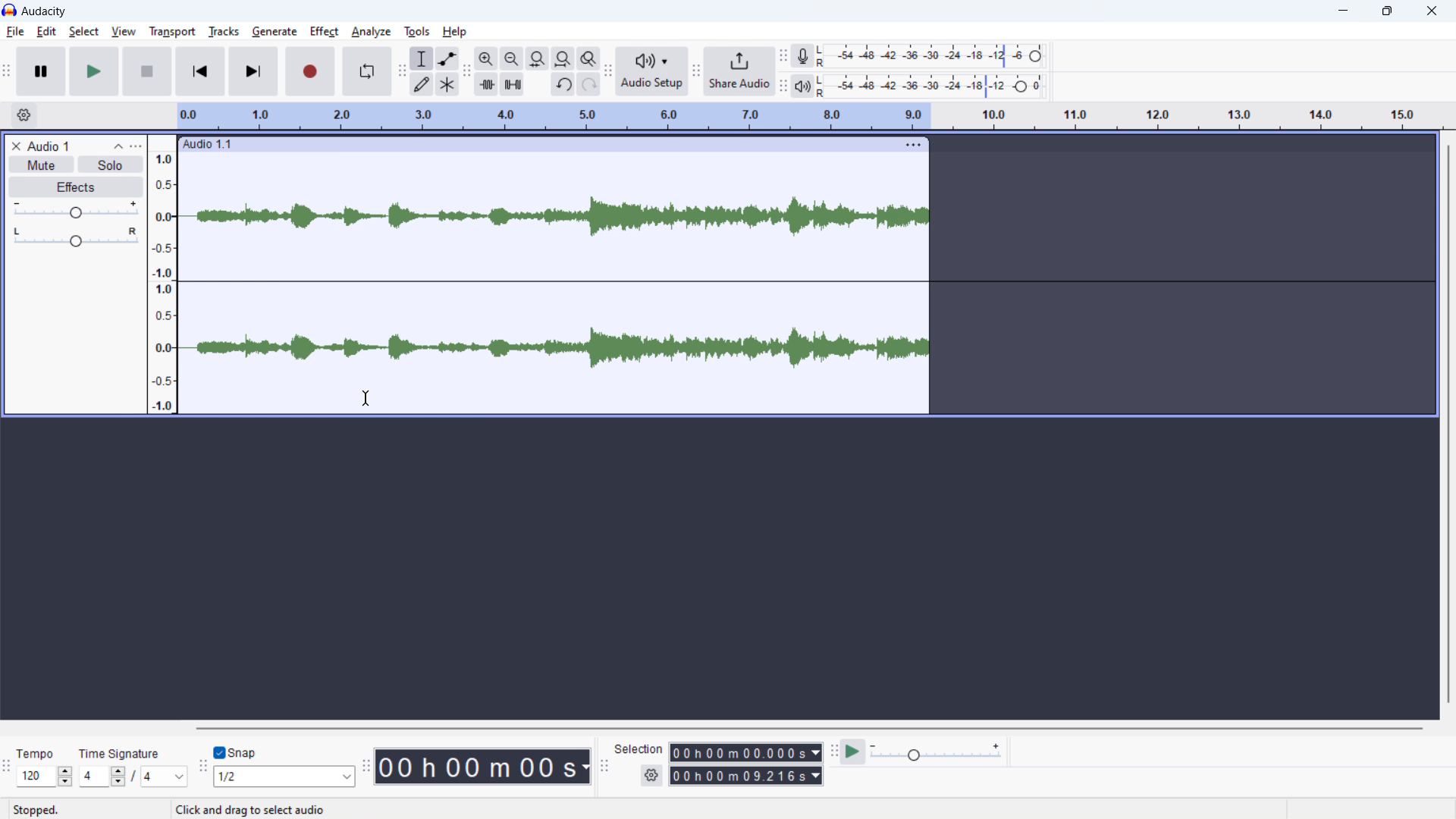 Image resolution: width=1456 pixels, height=819 pixels. What do you see at coordinates (639, 749) in the screenshot?
I see `Selection` at bounding box center [639, 749].